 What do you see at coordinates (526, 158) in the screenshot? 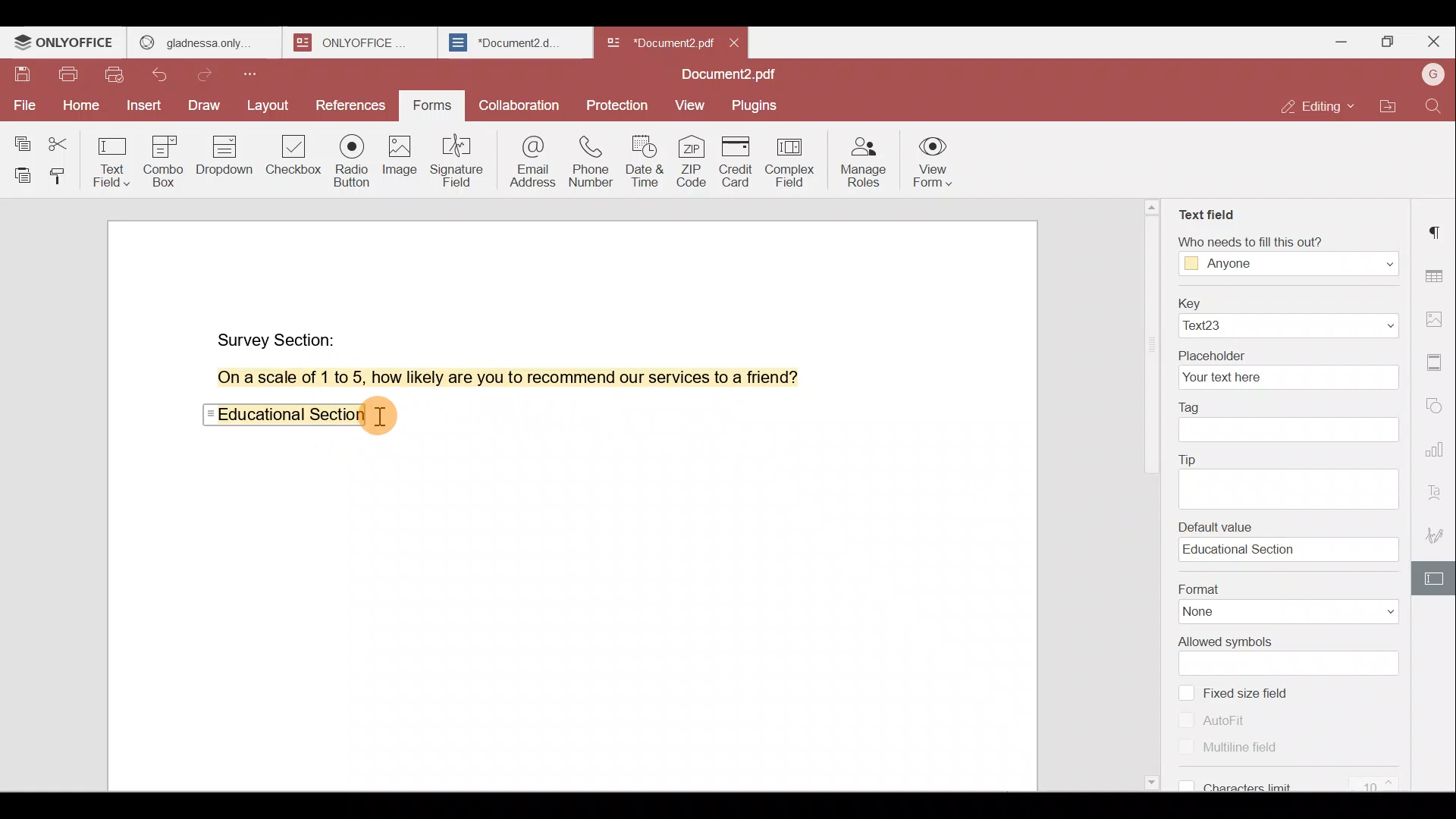
I see `Email address` at bounding box center [526, 158].